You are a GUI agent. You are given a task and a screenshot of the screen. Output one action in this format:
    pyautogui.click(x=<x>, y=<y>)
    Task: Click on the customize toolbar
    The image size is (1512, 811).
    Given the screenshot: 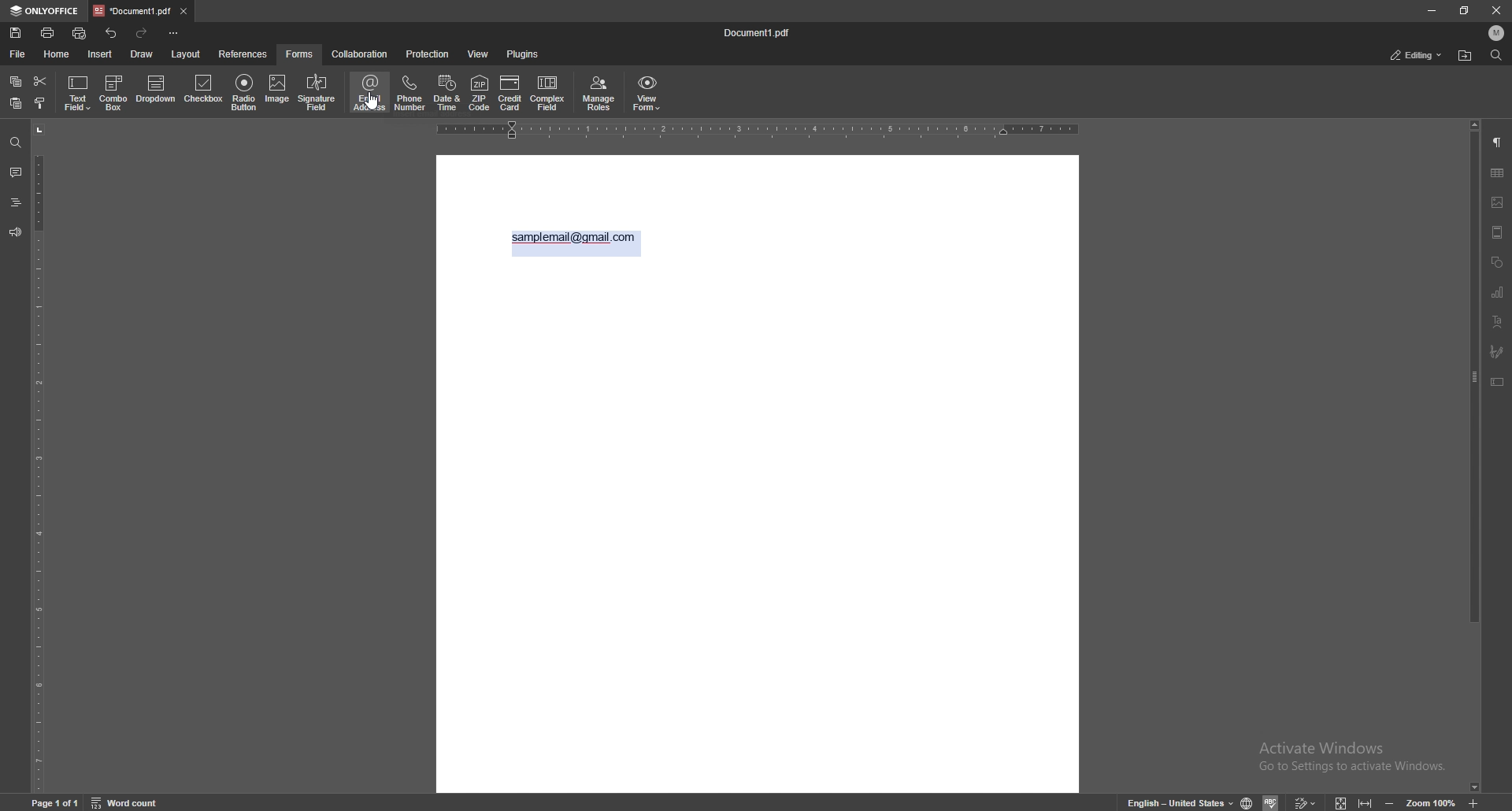 What is the action you would take?
    pyautogui.click(x=174, y=34)
    